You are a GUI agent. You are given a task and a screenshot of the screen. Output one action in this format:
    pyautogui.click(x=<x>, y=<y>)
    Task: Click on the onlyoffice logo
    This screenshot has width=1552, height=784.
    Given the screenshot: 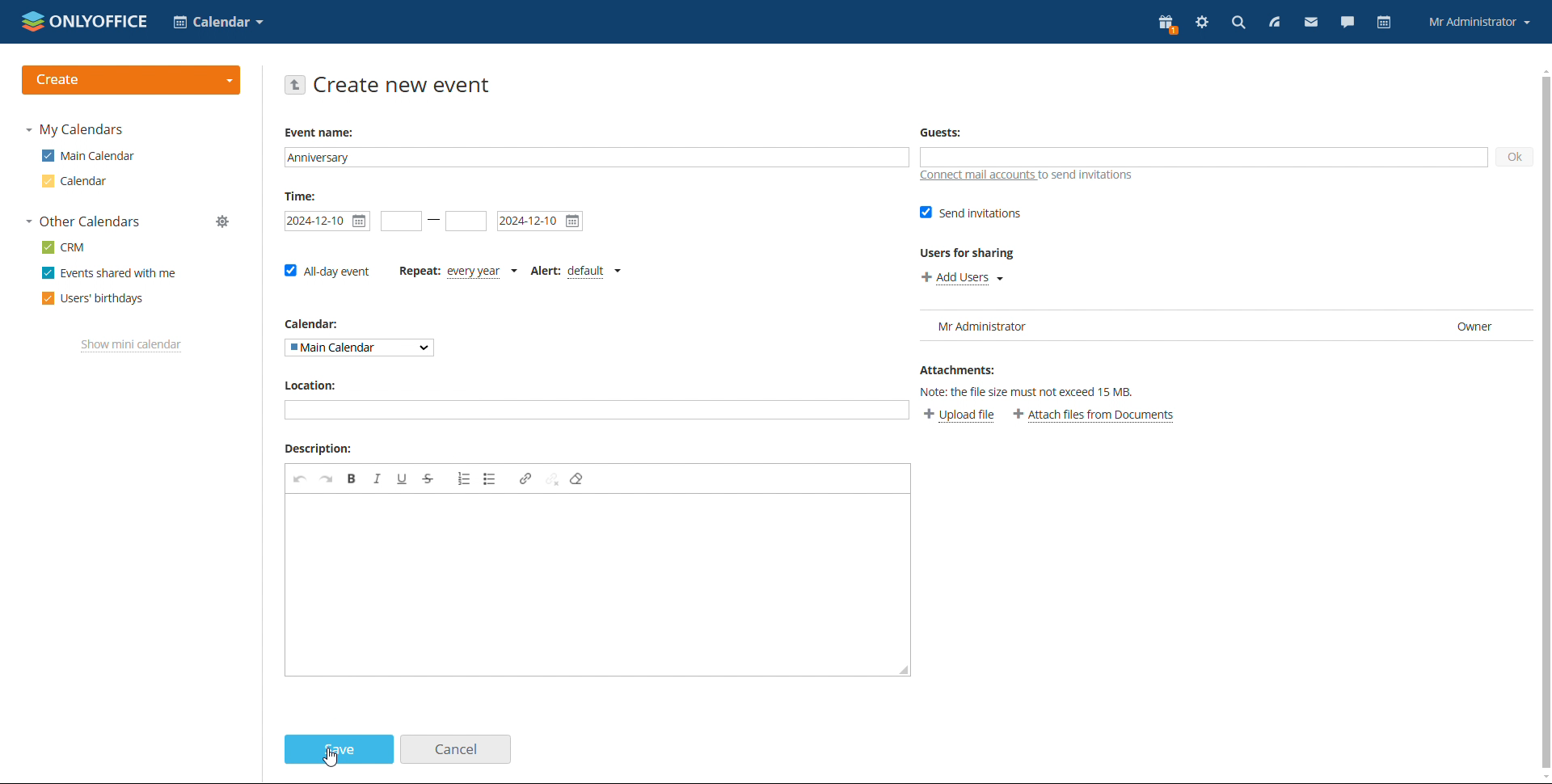 What is the action you would take?
    pyautogui.click(x=33, y=23)
    